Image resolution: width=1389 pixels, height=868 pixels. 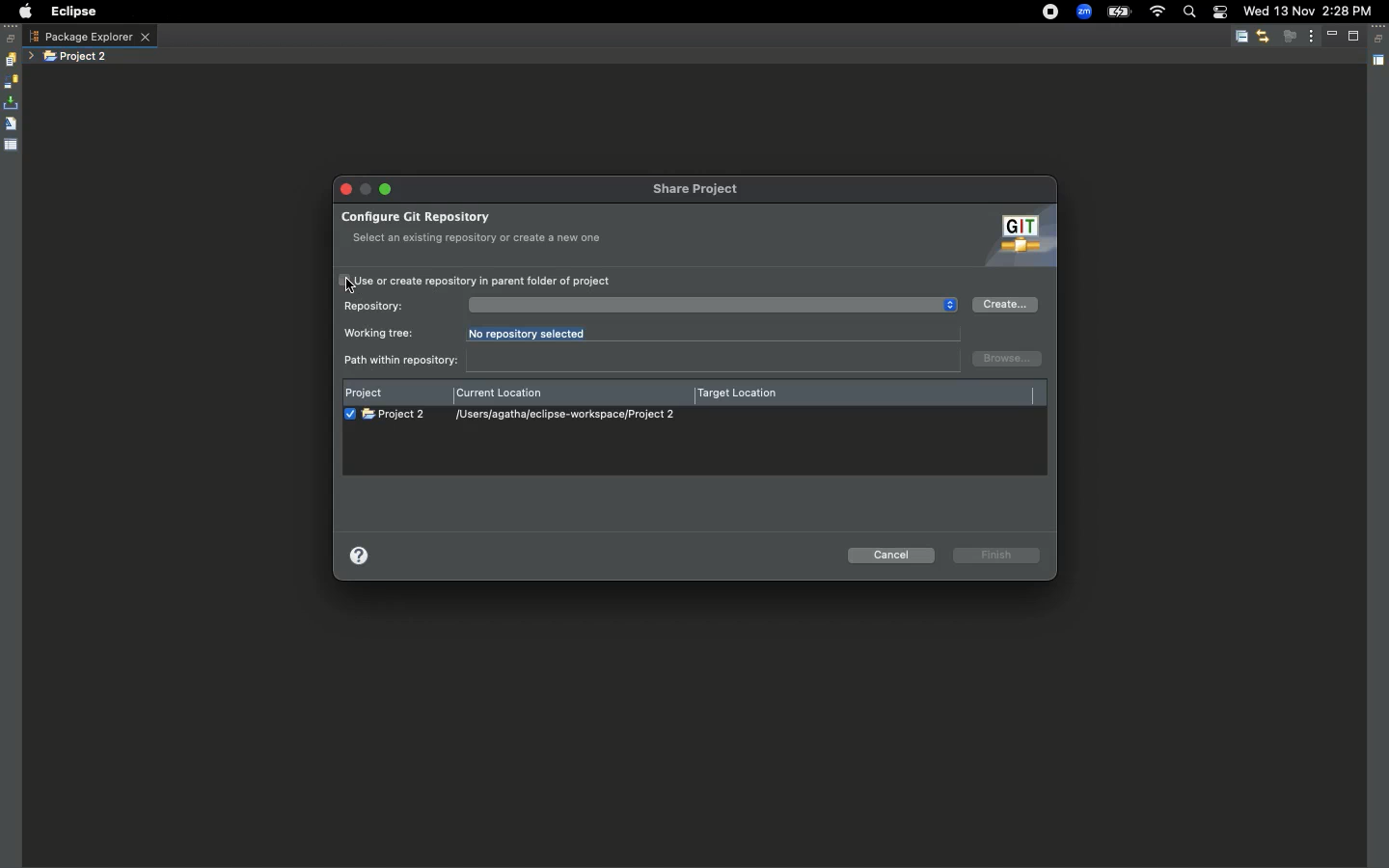 I want to click on Finish, so click(x=998, y=555).